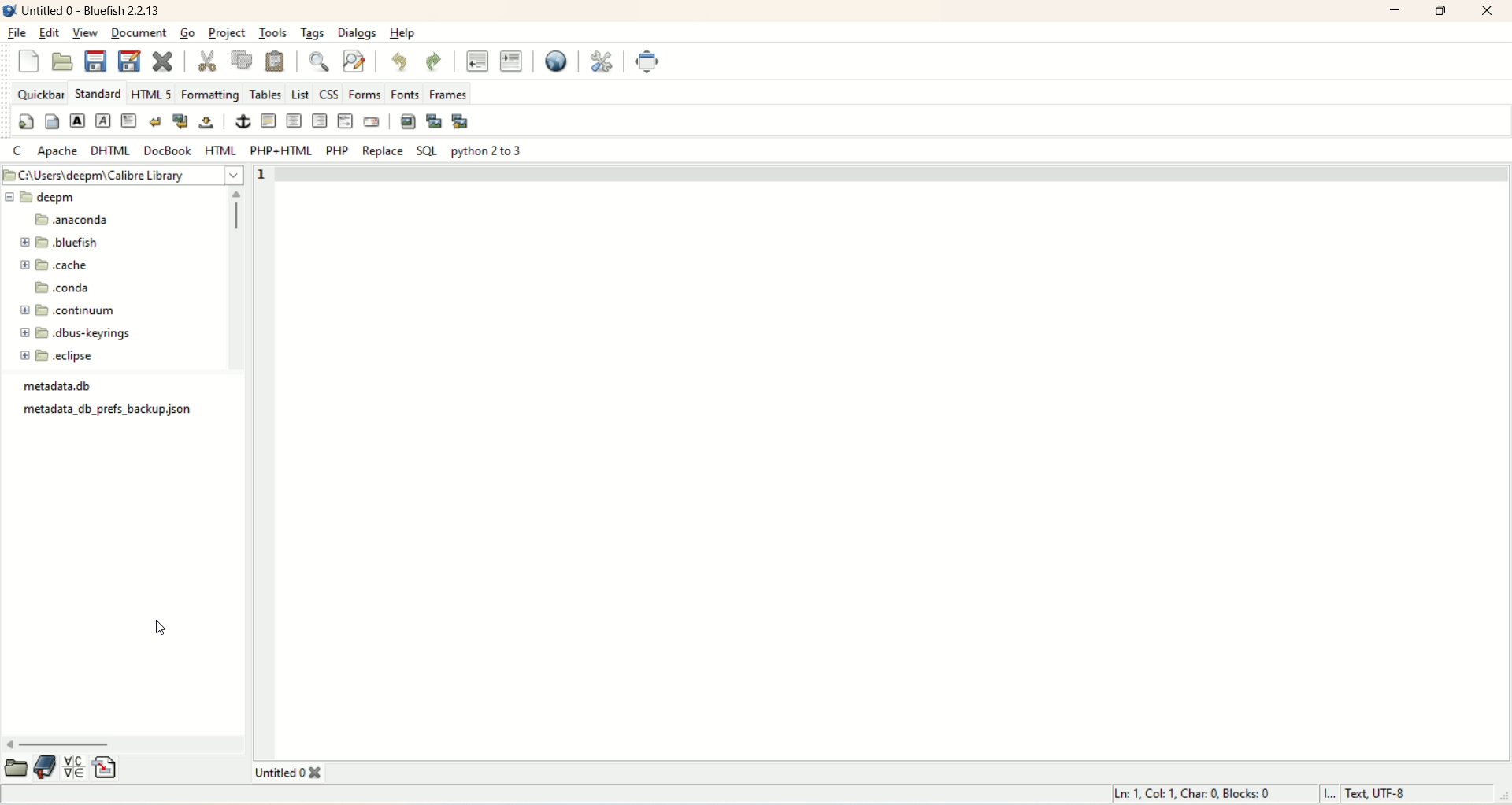 The height and width of the screenshot is (805, 1512). Describe the element at coordinates (74, 768) in the screenshot. I see `insert special character` at that location.